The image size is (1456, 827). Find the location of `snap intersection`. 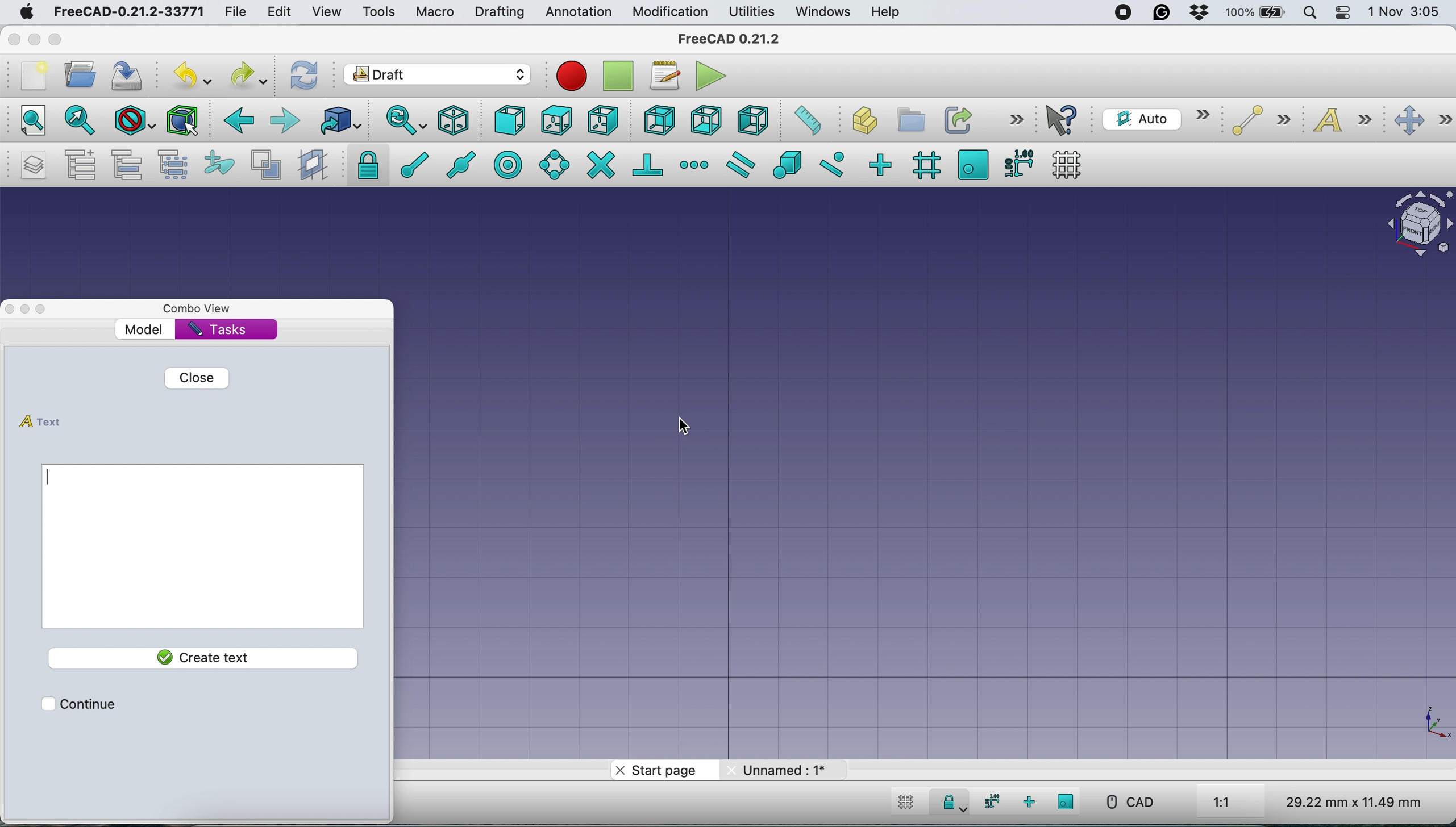

snap intersection is located at coordinates (600, 166).